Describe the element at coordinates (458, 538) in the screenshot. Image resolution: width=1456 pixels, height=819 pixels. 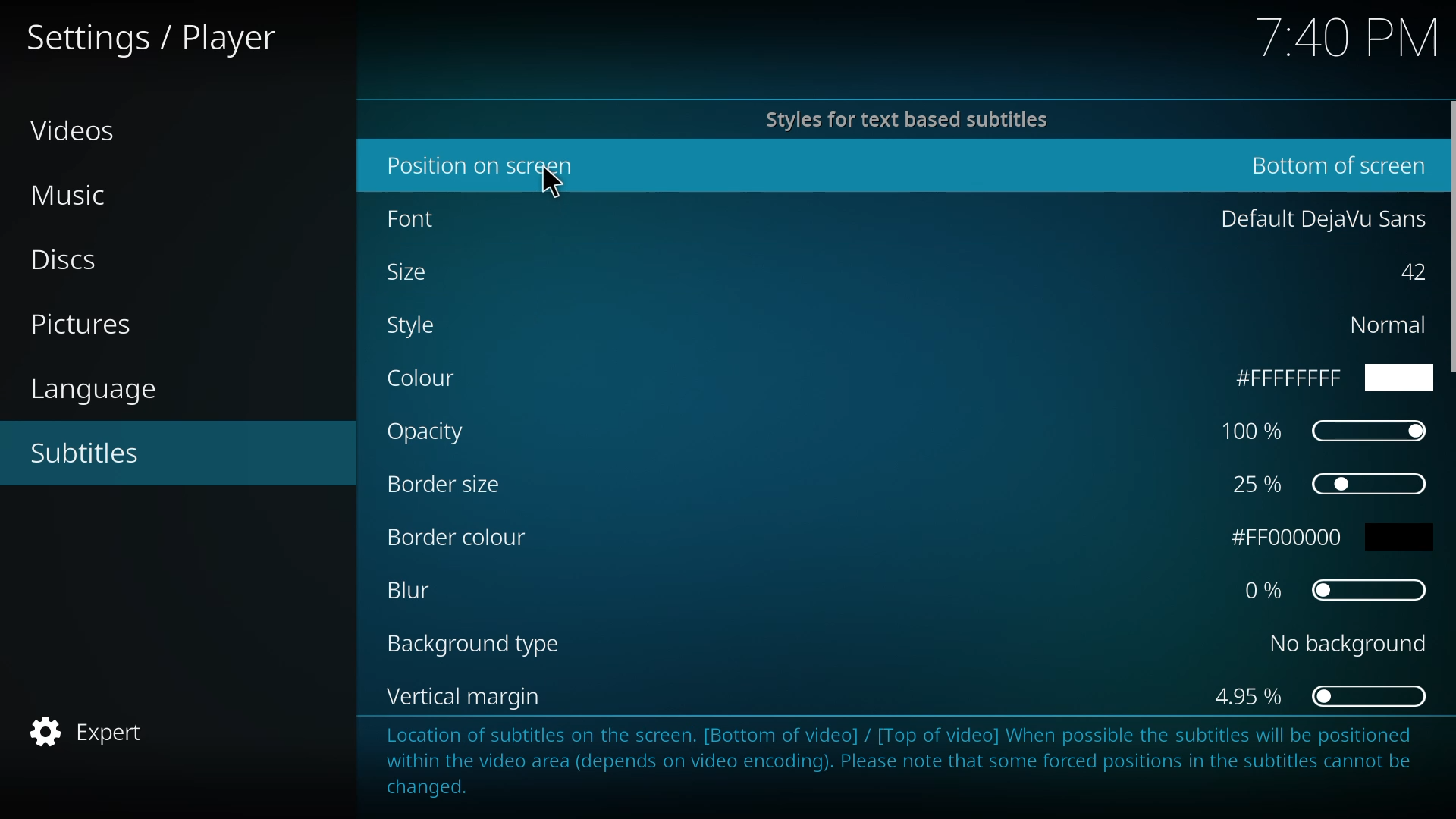
I see `border color` at that location.